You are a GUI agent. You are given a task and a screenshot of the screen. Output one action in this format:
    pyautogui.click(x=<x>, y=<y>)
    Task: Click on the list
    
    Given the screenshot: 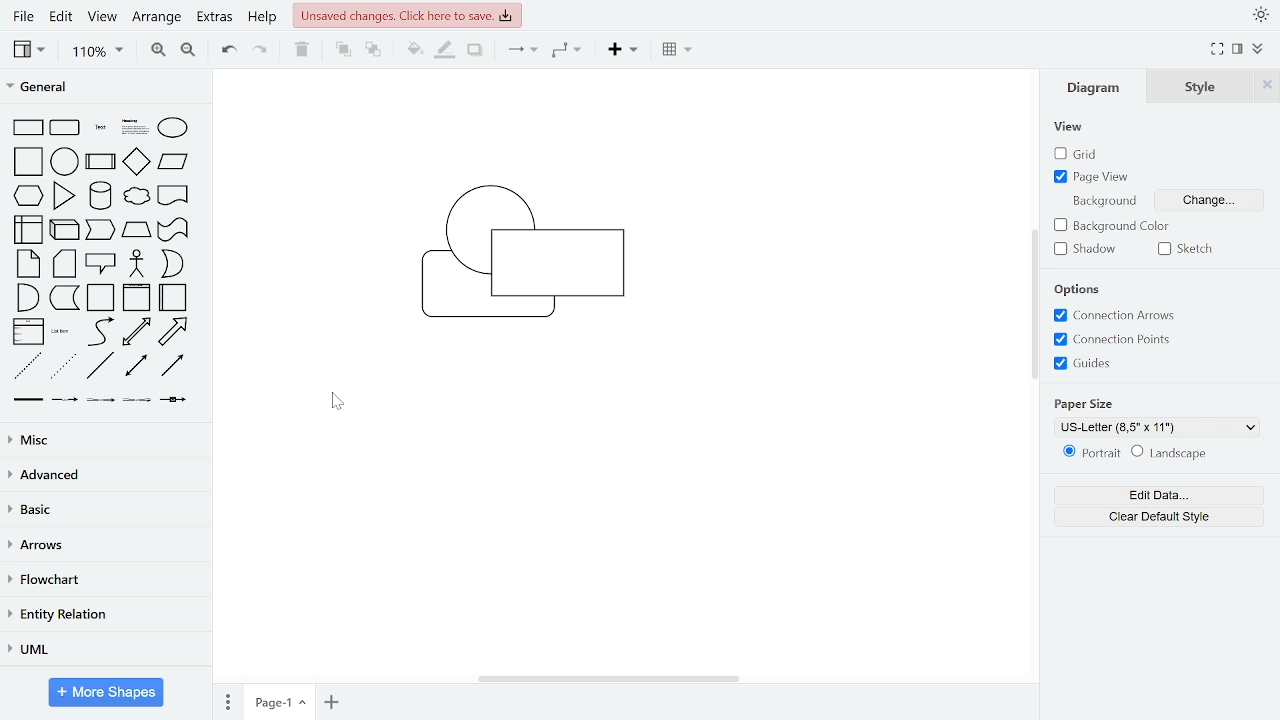 What is the action you would take?
    pyautogui.click(x=26, y=332)
    